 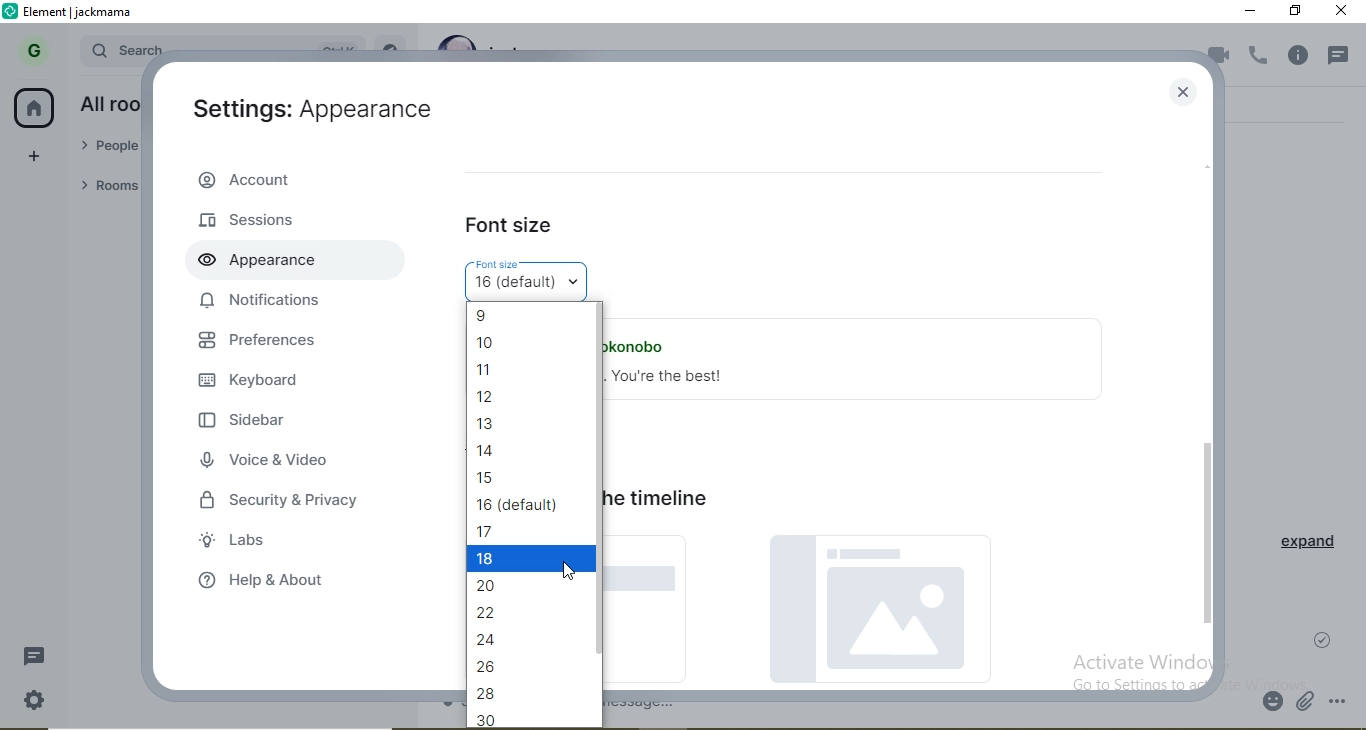 I want to click on account, so click(x=288, y=180).